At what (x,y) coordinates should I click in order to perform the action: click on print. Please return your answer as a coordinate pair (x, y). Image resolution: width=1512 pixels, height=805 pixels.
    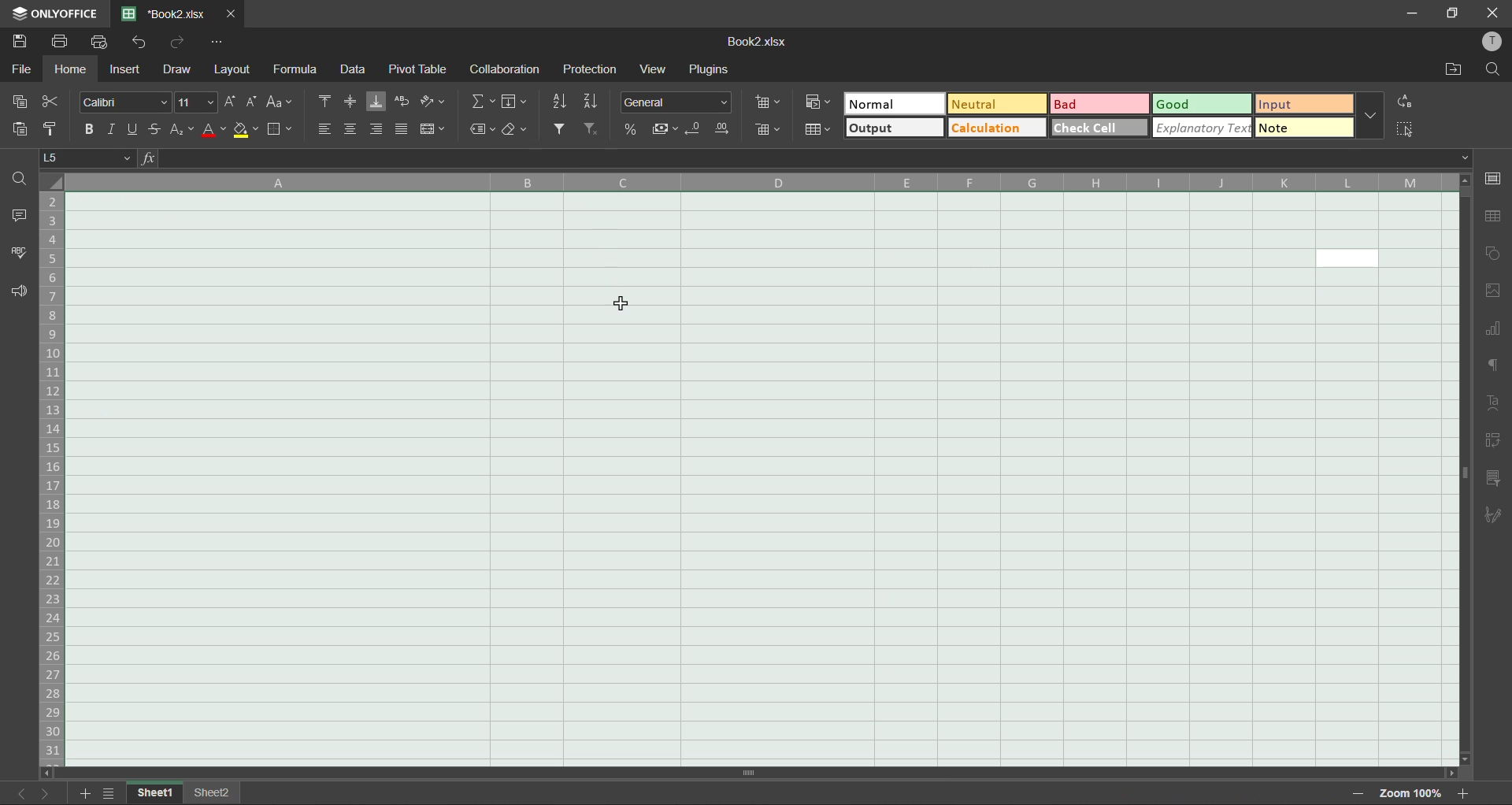
    Looking at the image, I should click on (58, 42).